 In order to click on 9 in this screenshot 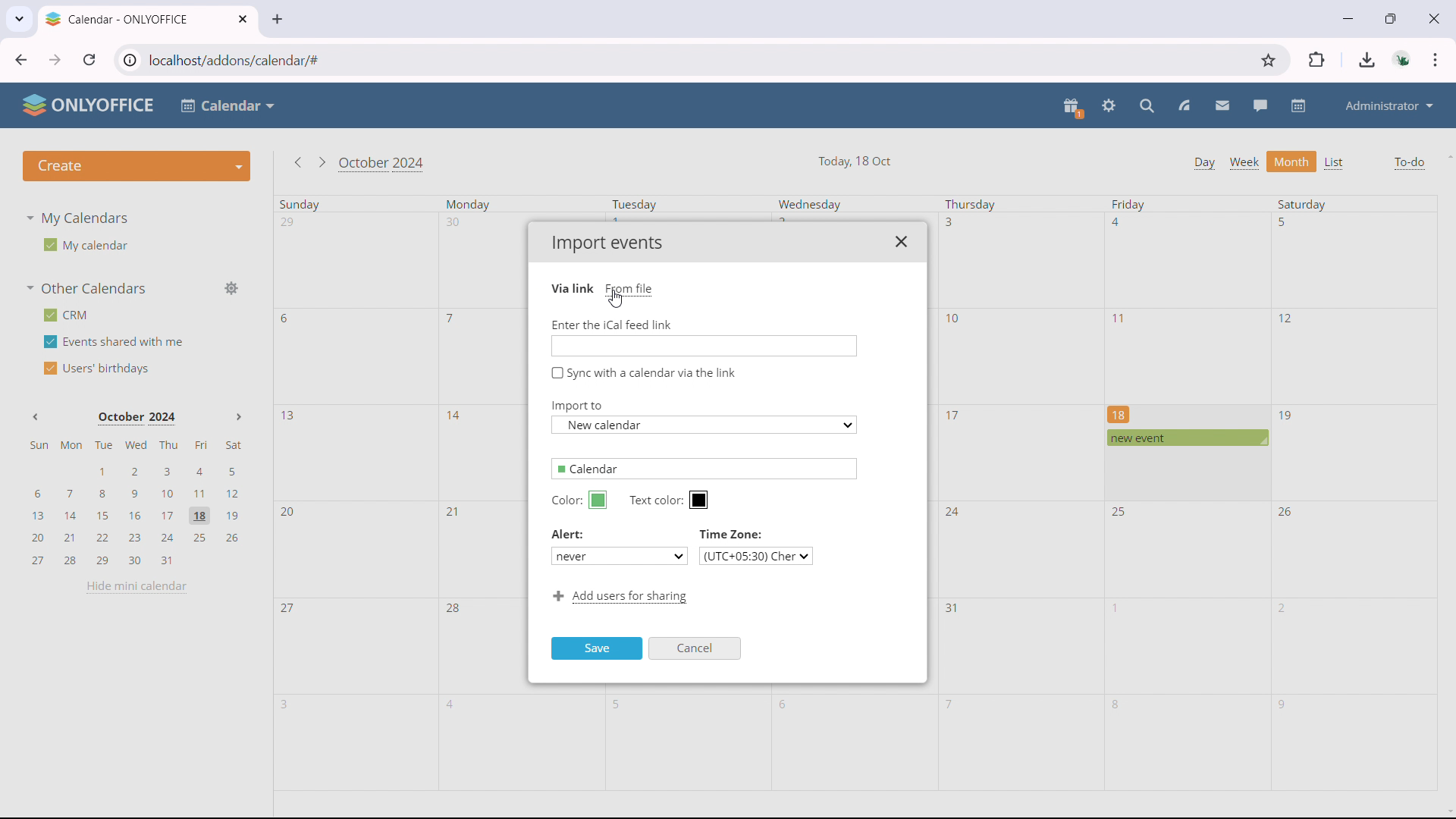, I will do `click(1282, 705)`.